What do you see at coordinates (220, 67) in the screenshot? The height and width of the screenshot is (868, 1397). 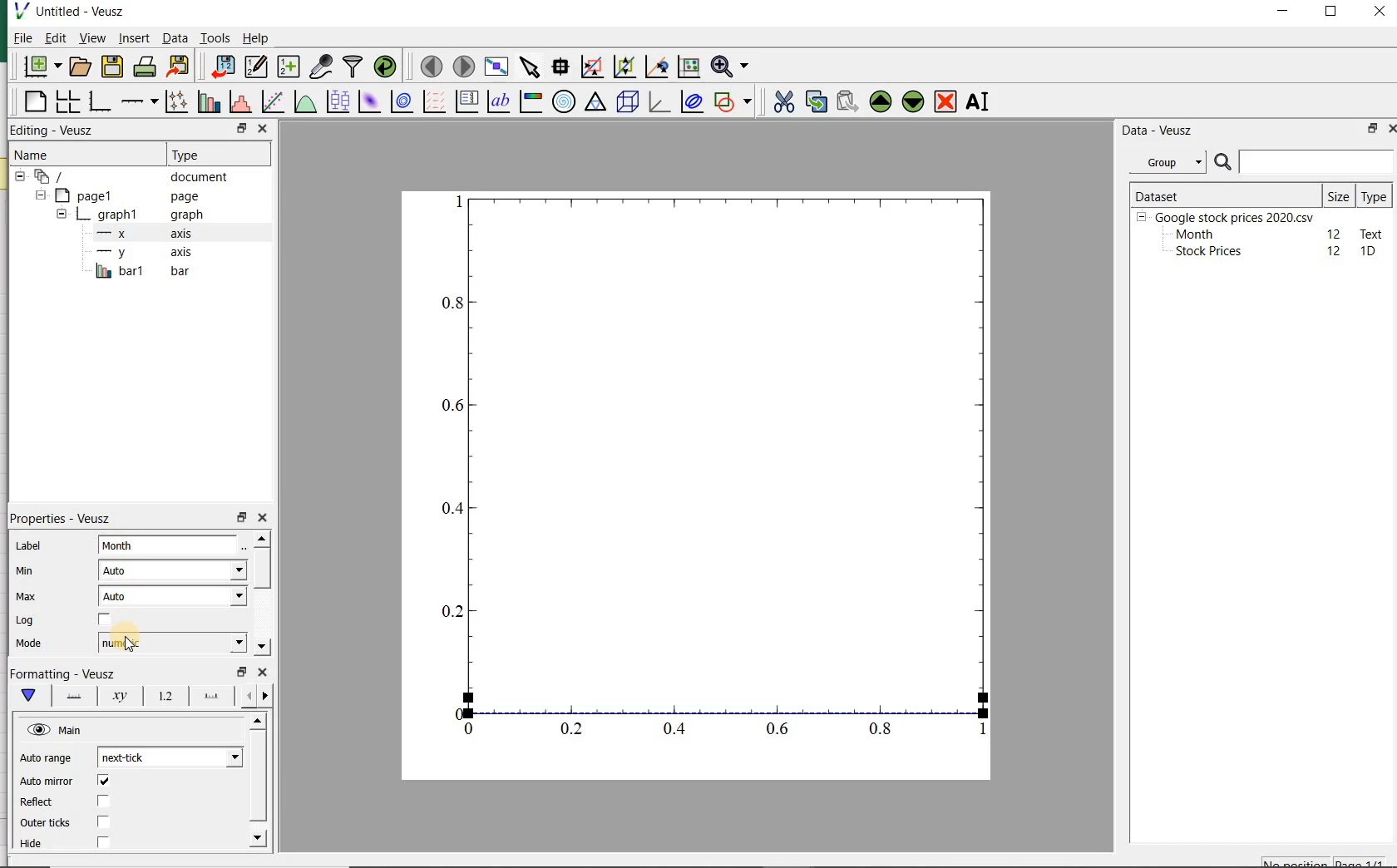 I see `import data into Veusz` at bounding box center [220, 67].